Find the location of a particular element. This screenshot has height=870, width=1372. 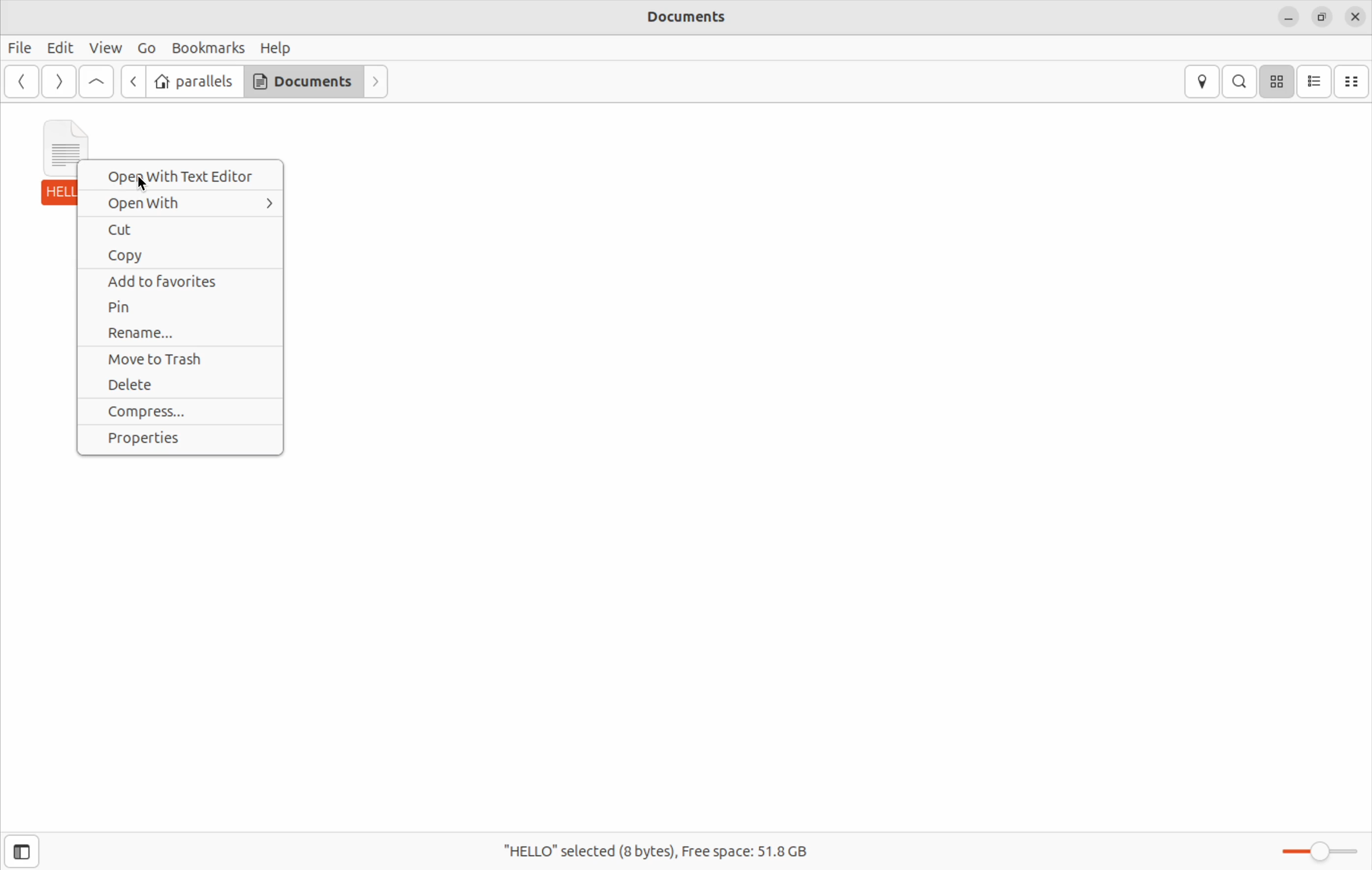

list view is located at coordinates (1317, 81).